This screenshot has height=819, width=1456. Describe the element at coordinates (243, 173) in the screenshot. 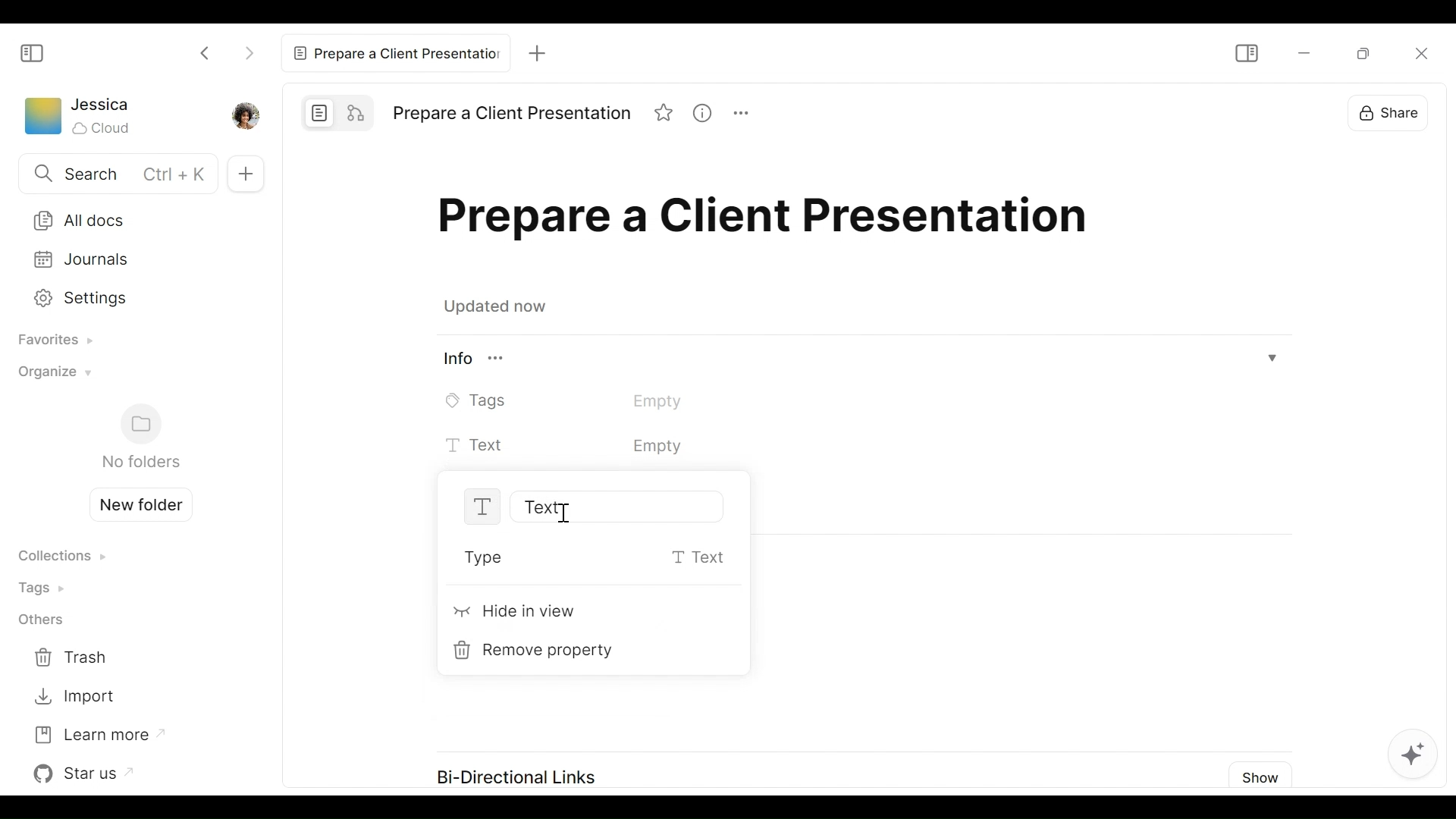

I see `Add new` at that location.